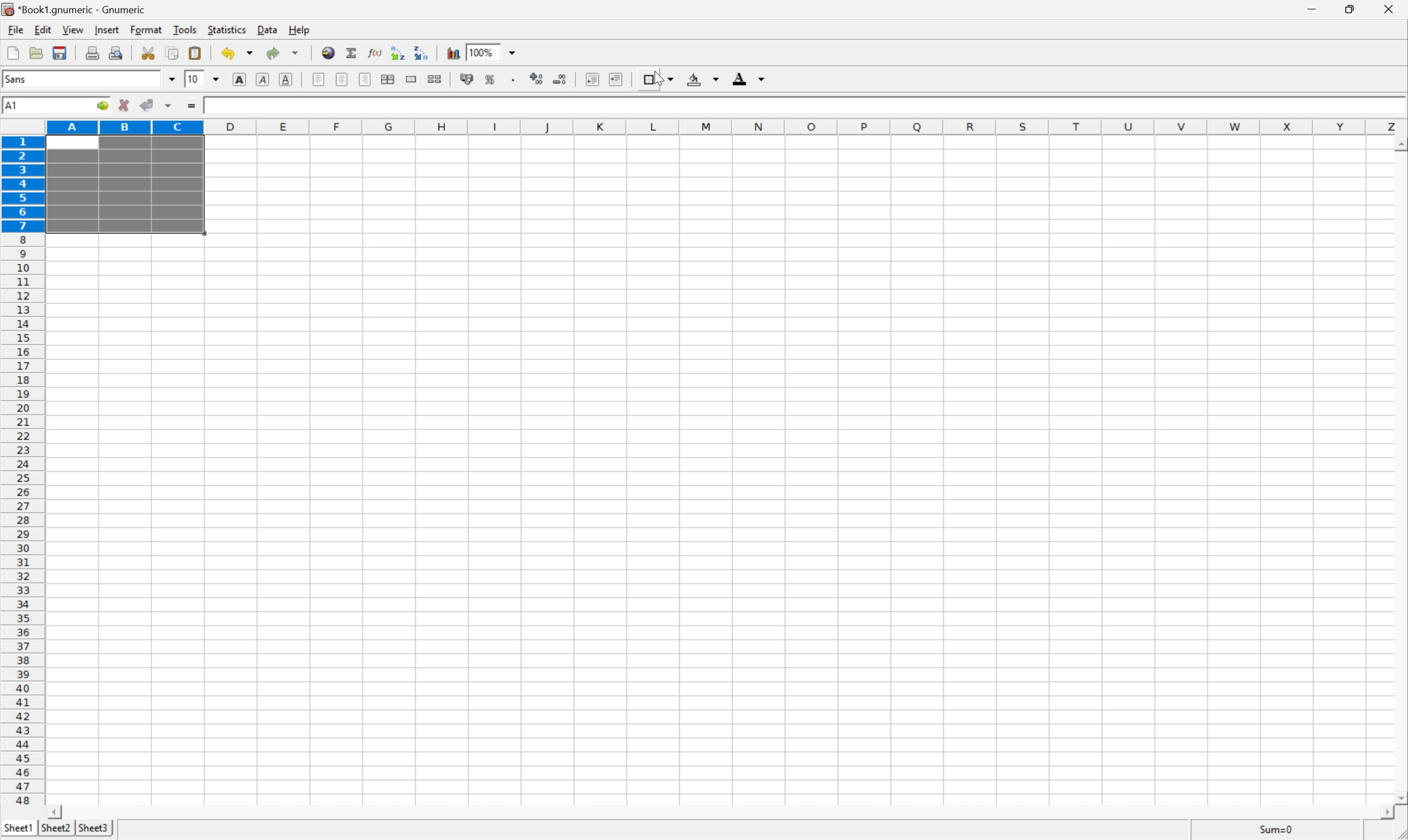 This screenshot has width=1408, height=840. What do you see at coordinates (241, 79) in the screenshot?
I see `bold` at bounding box center [241, 79].